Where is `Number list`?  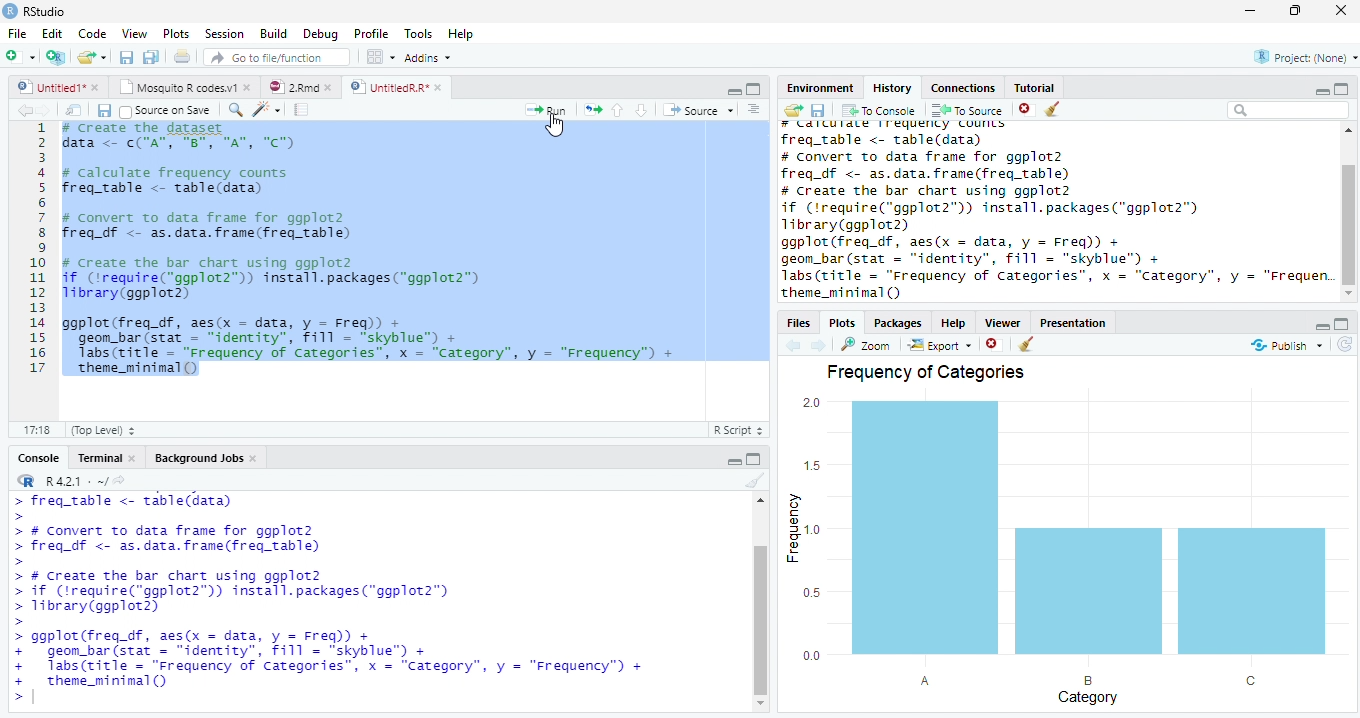 Number list is located at coordinates (34, 254).